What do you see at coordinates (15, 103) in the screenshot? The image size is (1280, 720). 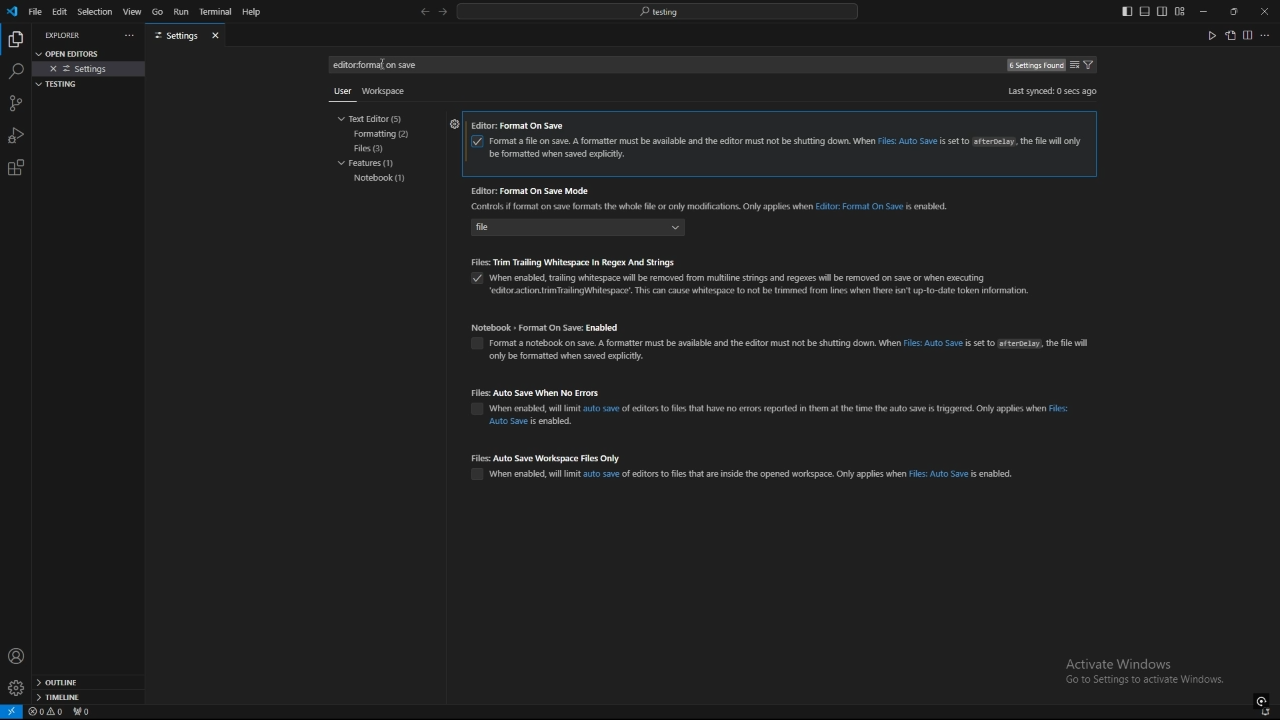 I see `source control` at bounding box center [15, 103].